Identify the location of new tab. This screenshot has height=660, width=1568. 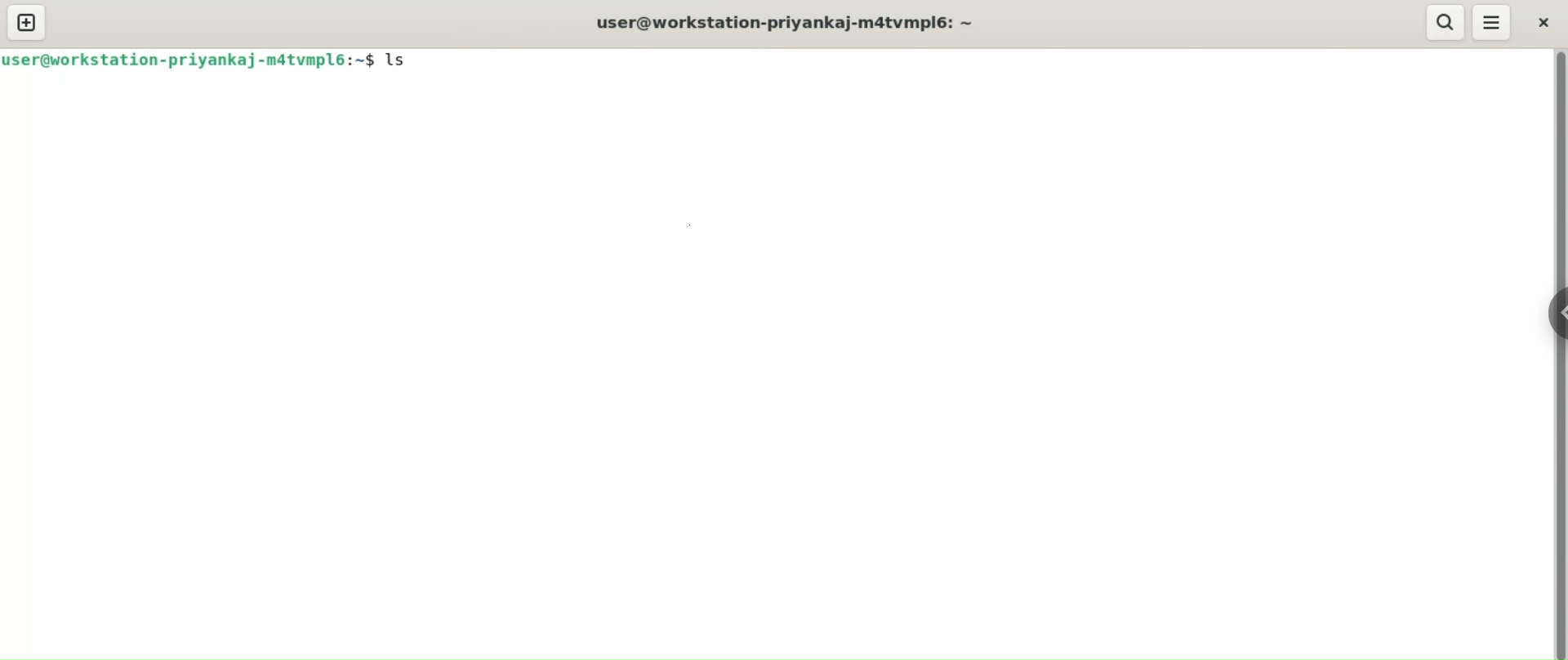
(27, 23).